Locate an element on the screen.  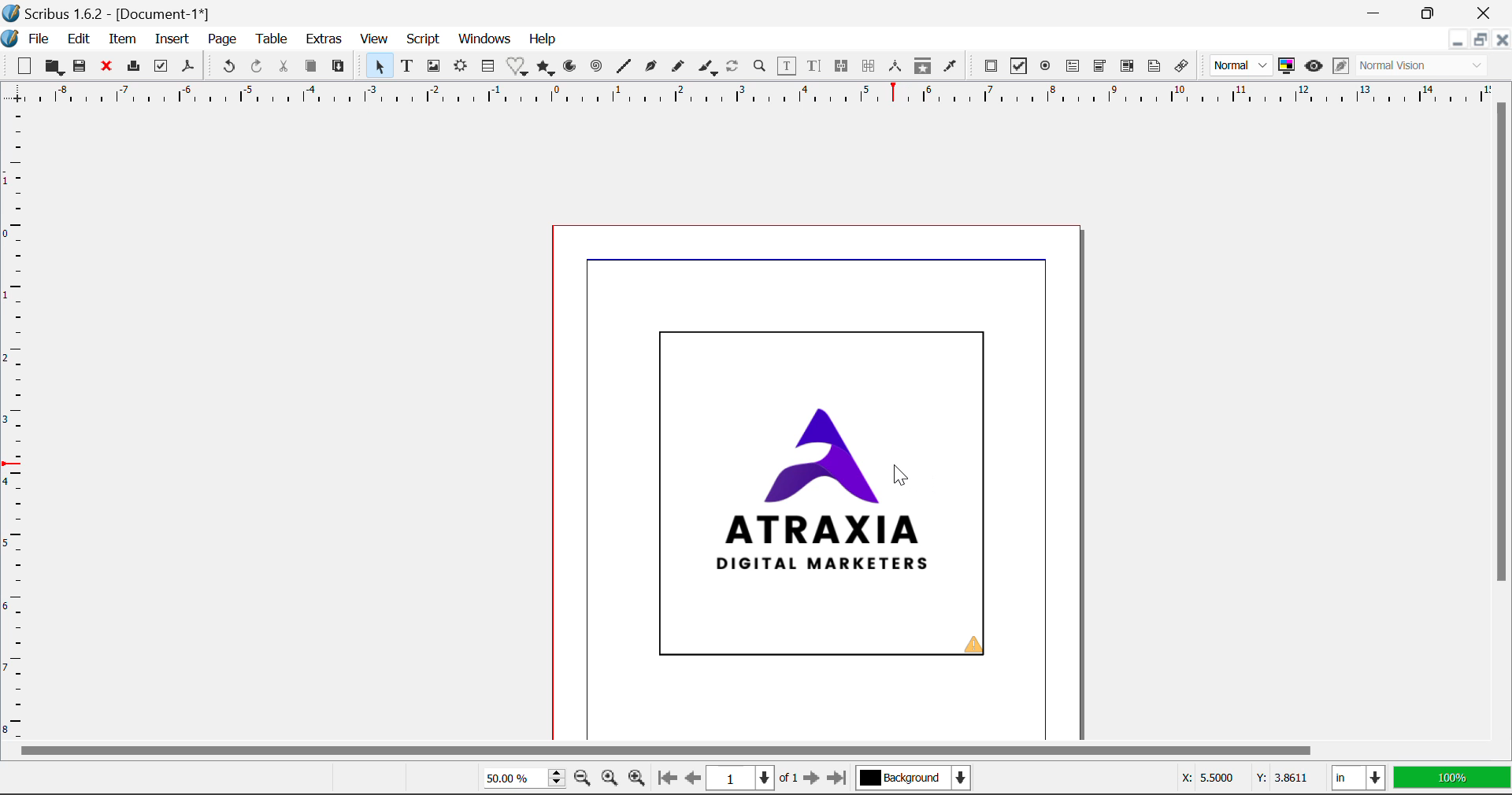
Page is located at coordinates (222, 41).